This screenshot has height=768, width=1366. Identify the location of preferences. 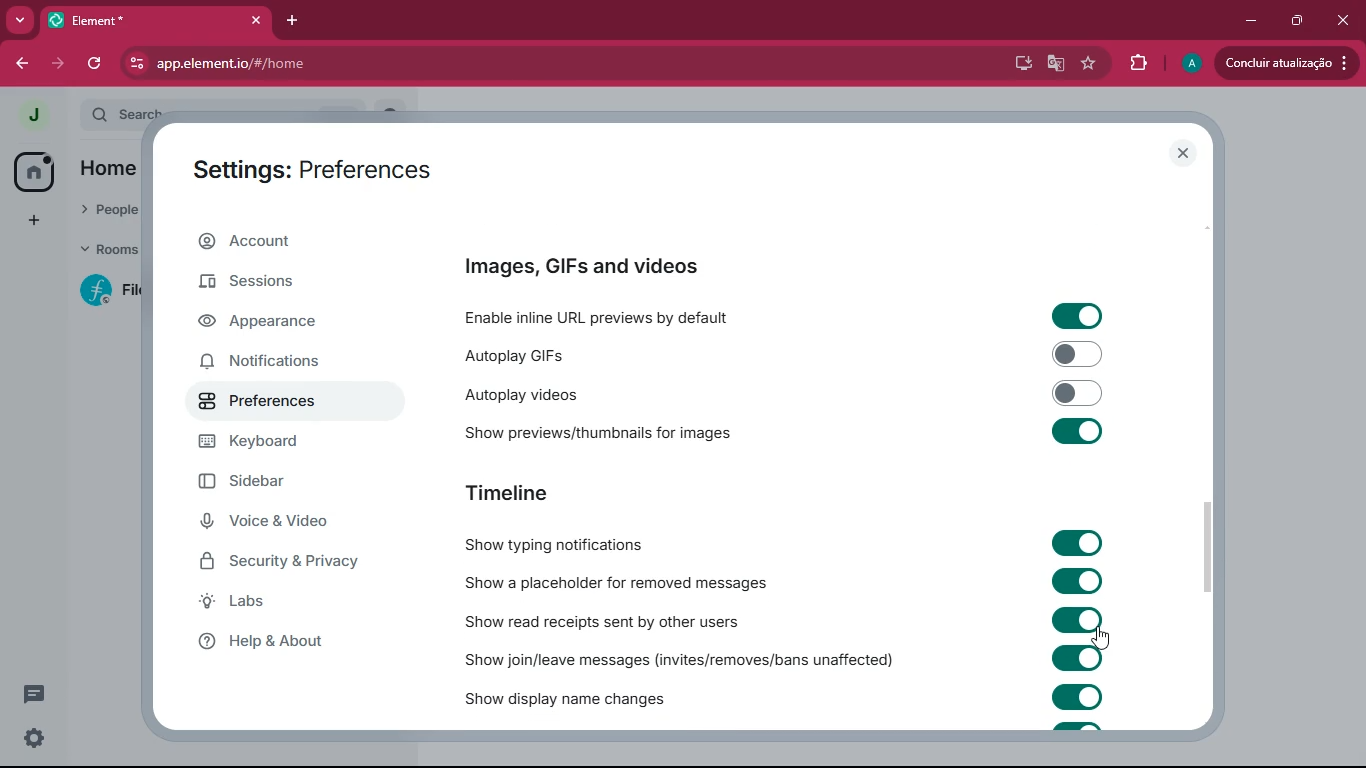
(277, 402).